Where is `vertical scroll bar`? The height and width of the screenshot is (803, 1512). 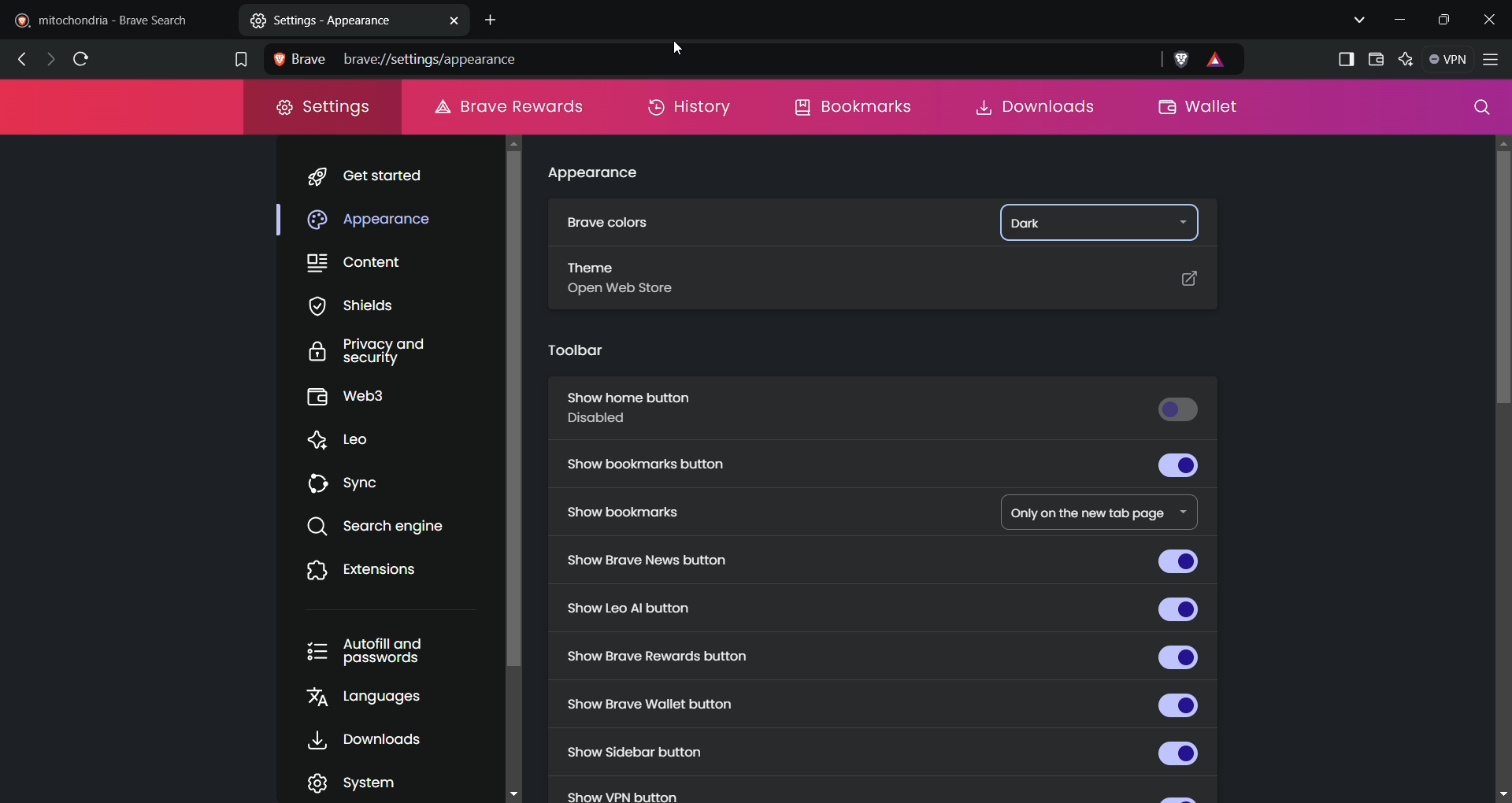
vertical scroll bar is located at coordinates (1499, 469).